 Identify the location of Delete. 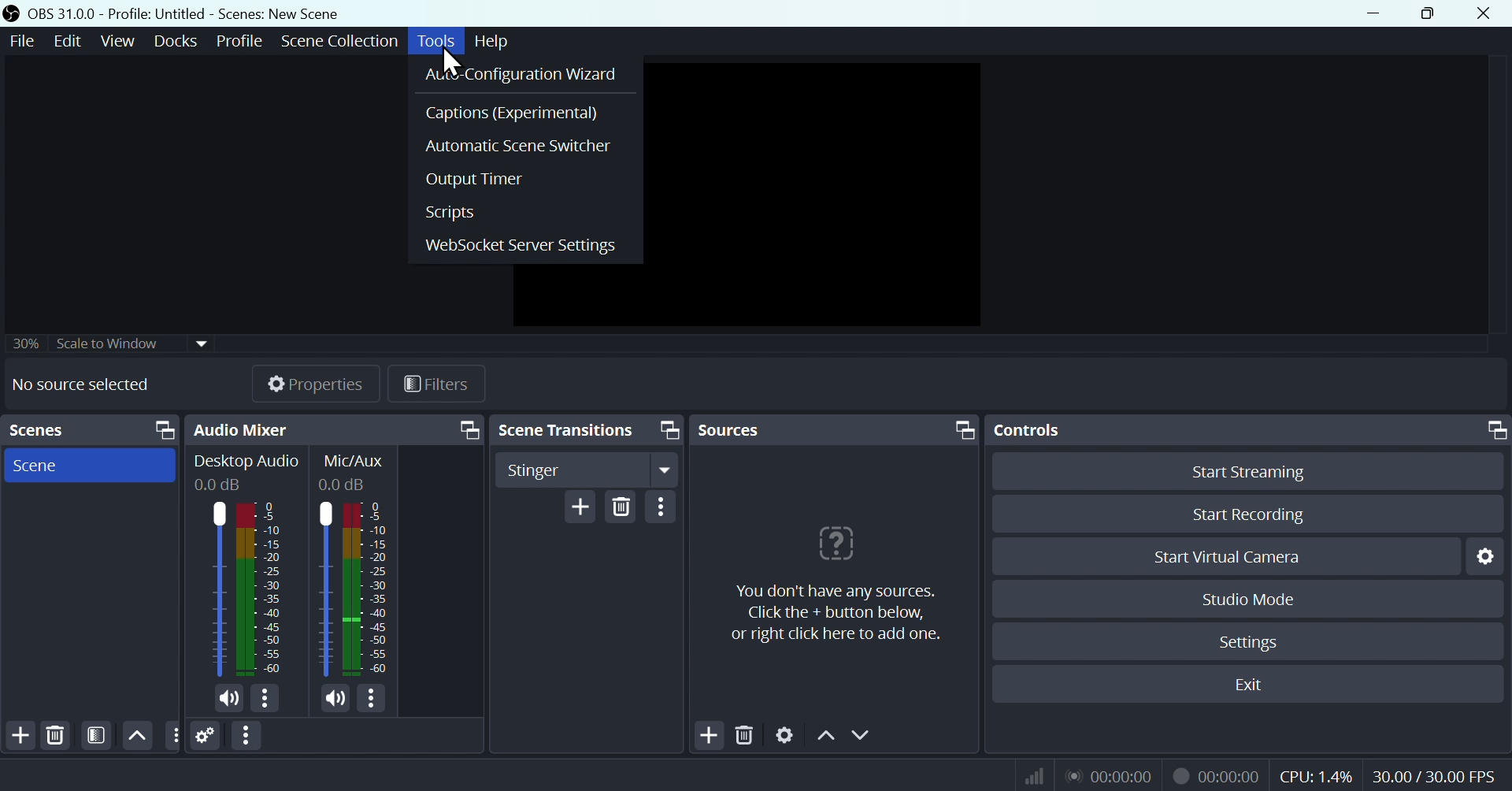
(621, 505).